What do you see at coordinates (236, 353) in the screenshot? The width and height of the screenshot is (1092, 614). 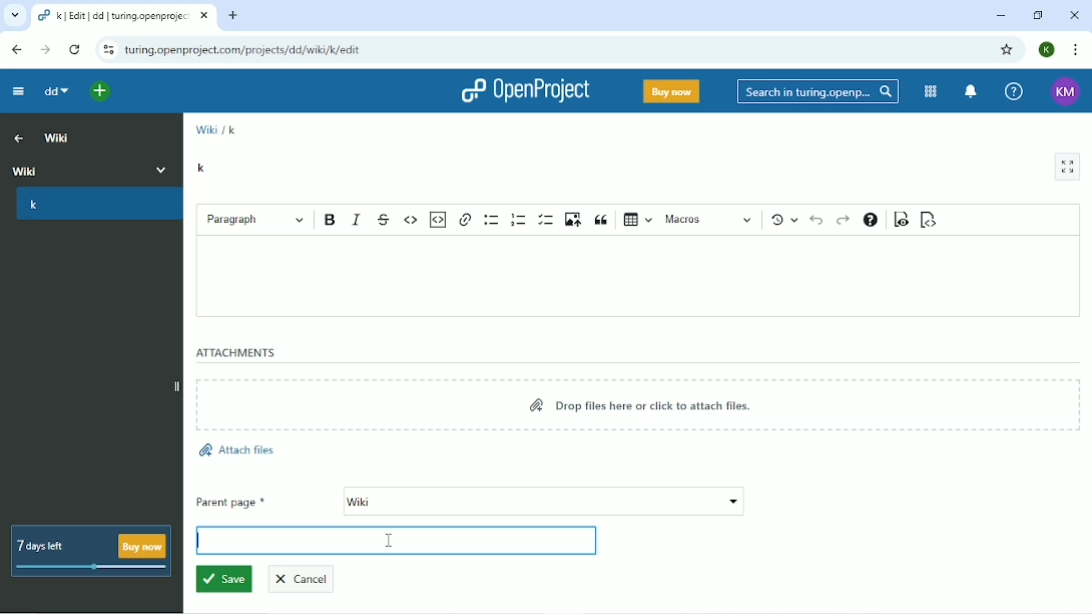 I see `Attachments` at bounding box center [236, 353].